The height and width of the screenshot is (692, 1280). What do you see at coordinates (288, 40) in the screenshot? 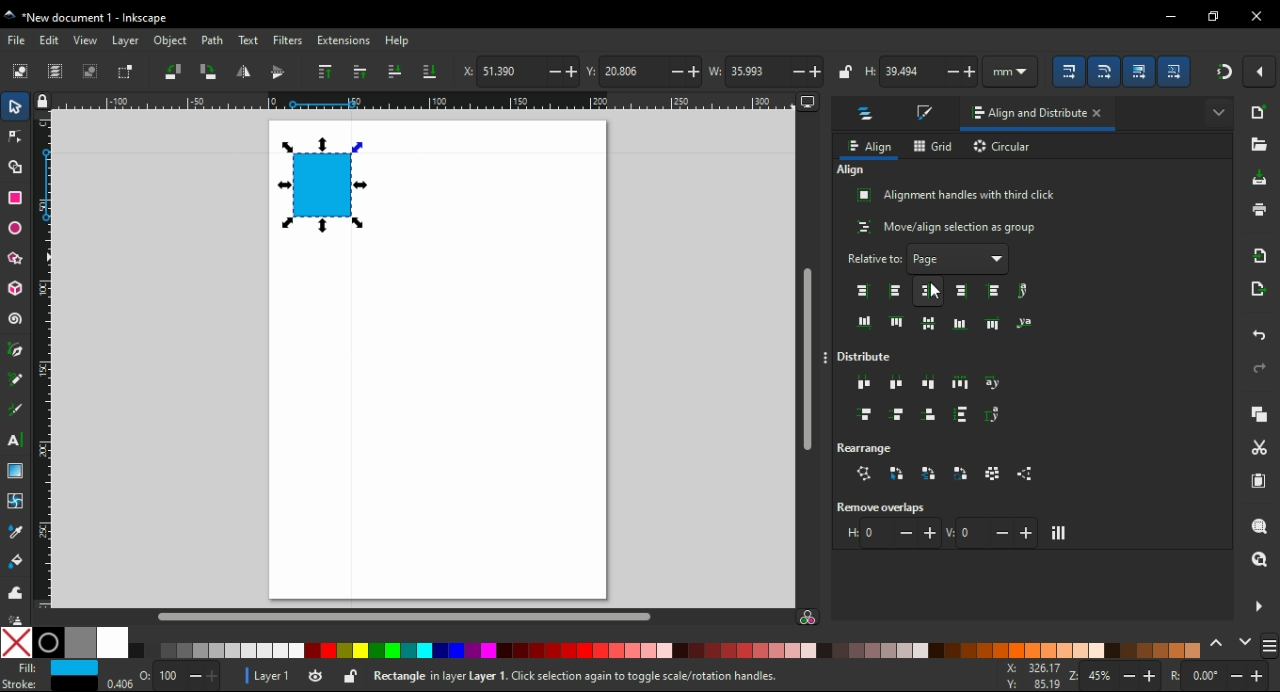
I see `filters` at bounding box center [288, 40].